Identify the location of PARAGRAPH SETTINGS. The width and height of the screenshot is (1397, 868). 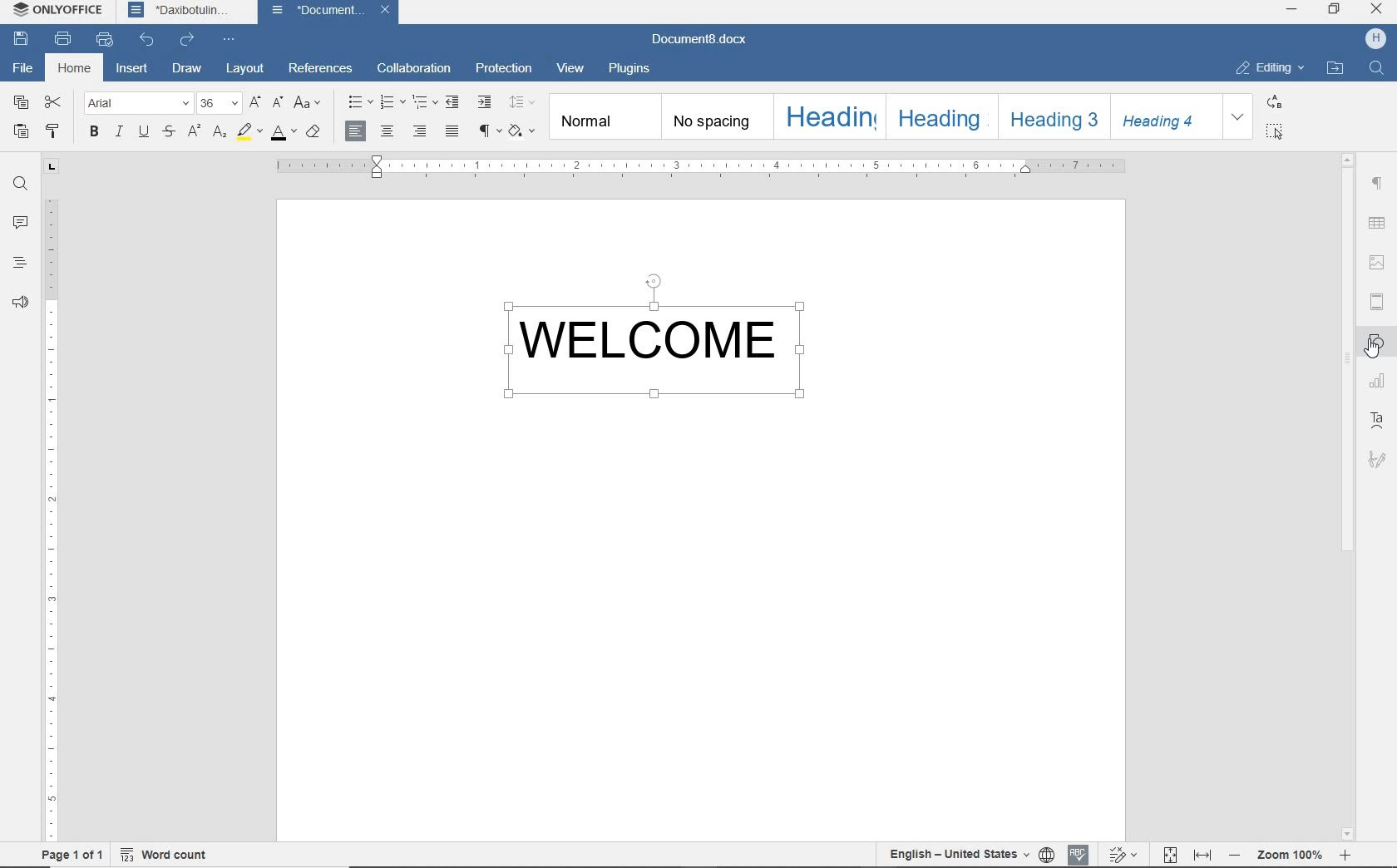
(1377, 185).